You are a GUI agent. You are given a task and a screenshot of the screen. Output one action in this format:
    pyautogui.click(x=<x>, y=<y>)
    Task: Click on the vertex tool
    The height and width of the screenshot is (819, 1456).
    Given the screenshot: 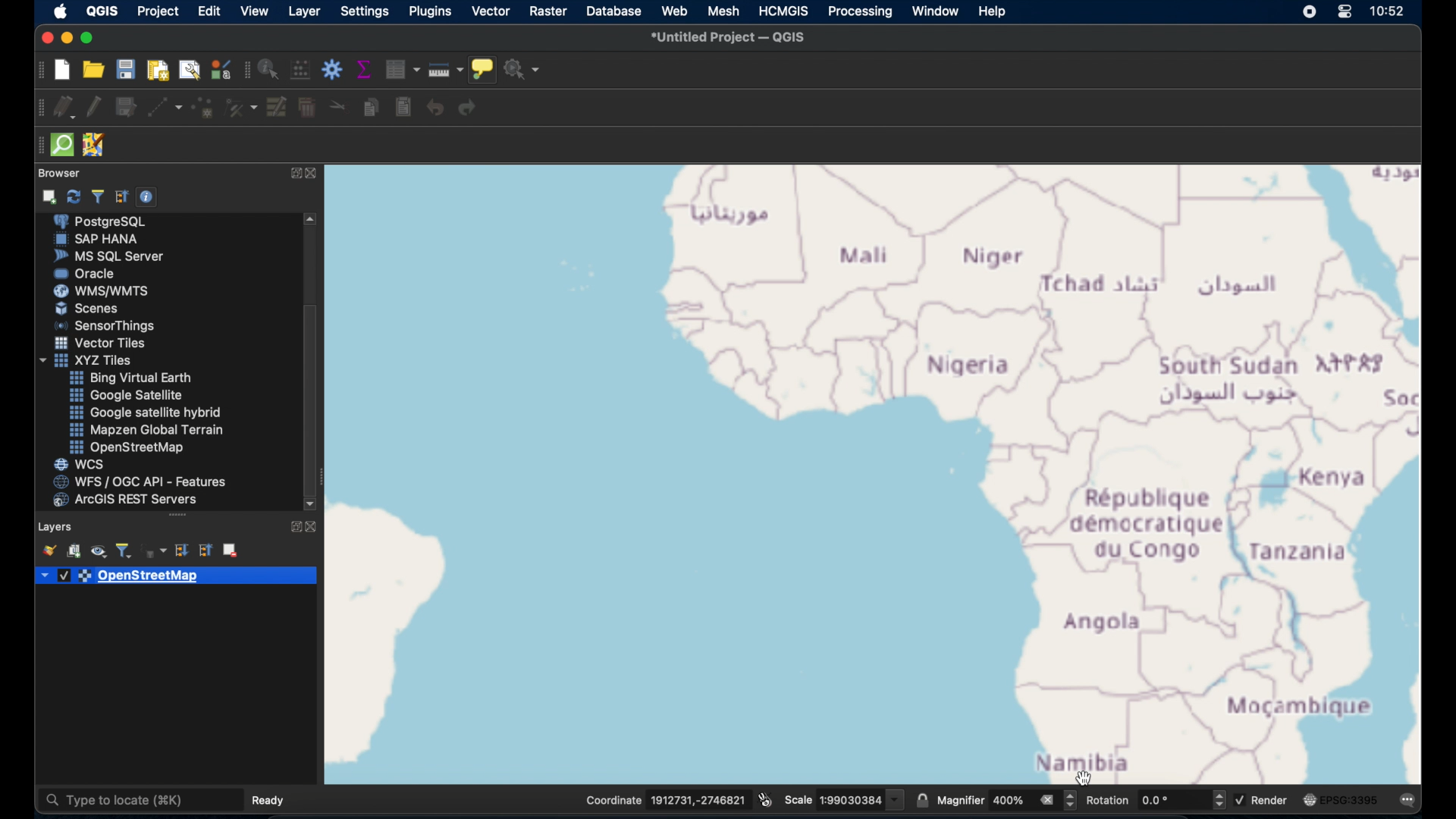 What is the action you would take?
    pyautogui.click(x=243, y=108)
    